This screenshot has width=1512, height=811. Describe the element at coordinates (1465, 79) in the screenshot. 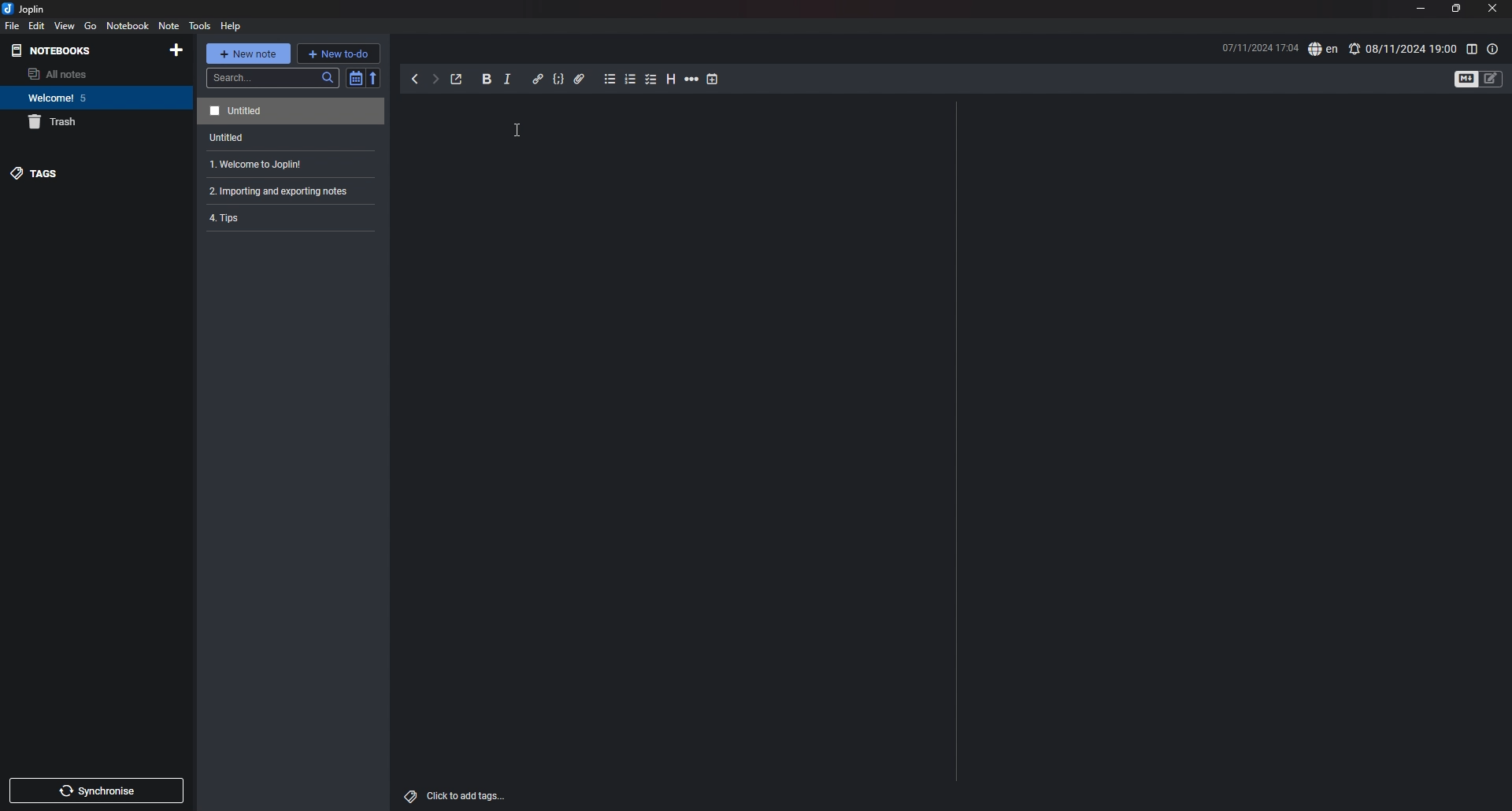

I see `toggle editor` at that location.